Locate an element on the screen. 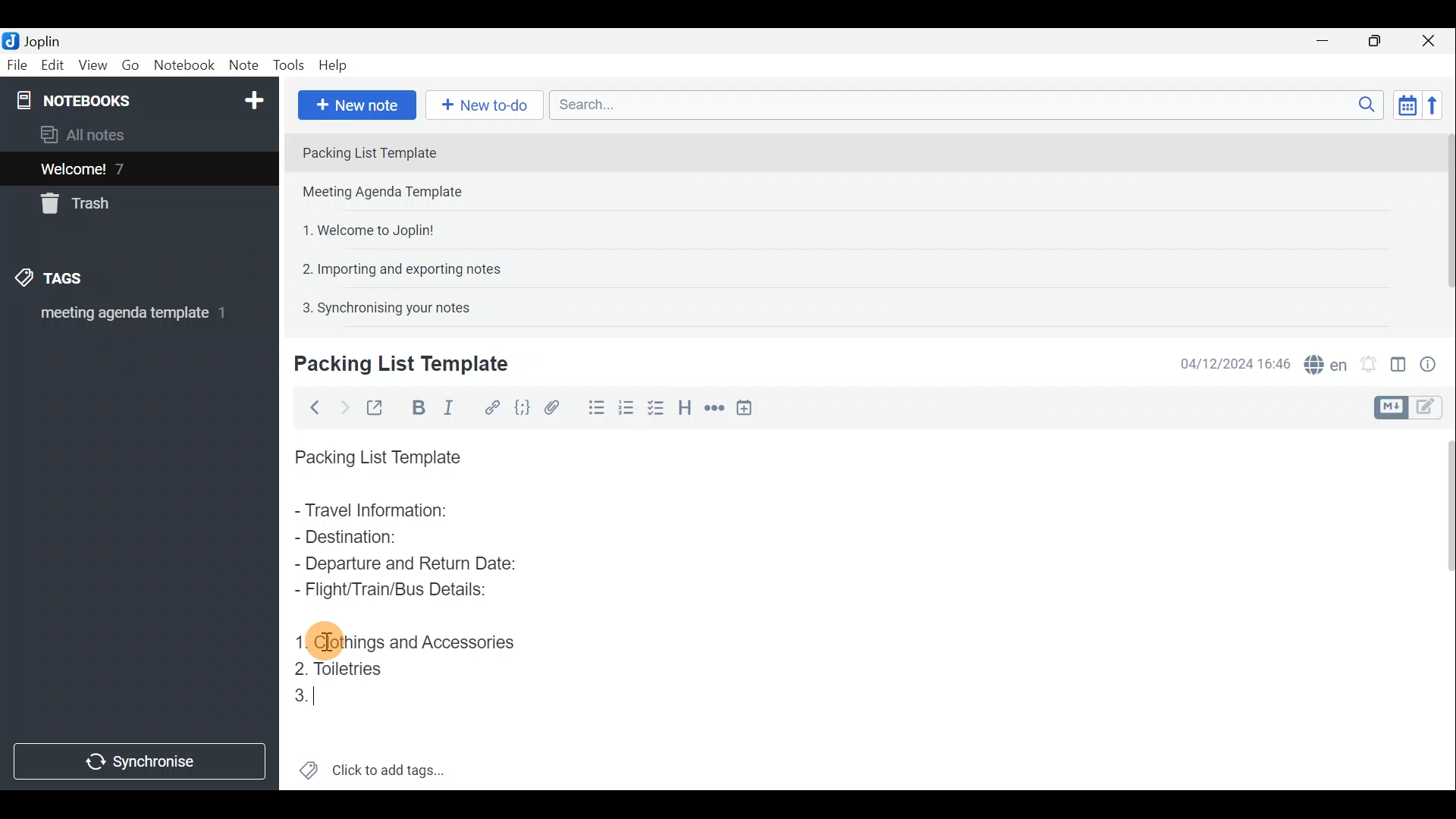 The image size is (1456, 819). Note 4 is located at coordinates (394, 266).